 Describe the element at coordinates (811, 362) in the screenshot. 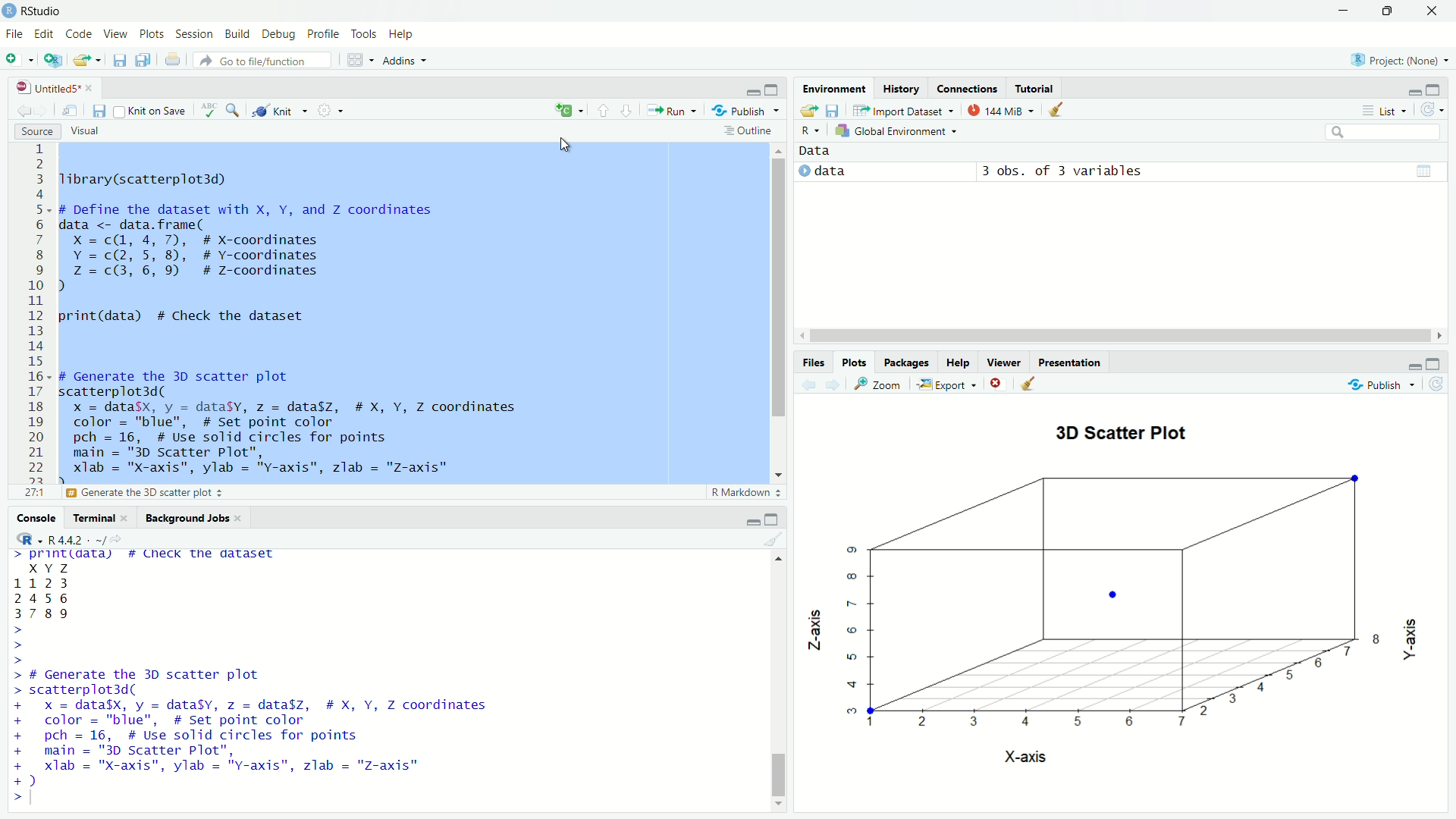

I see `files` at that location.